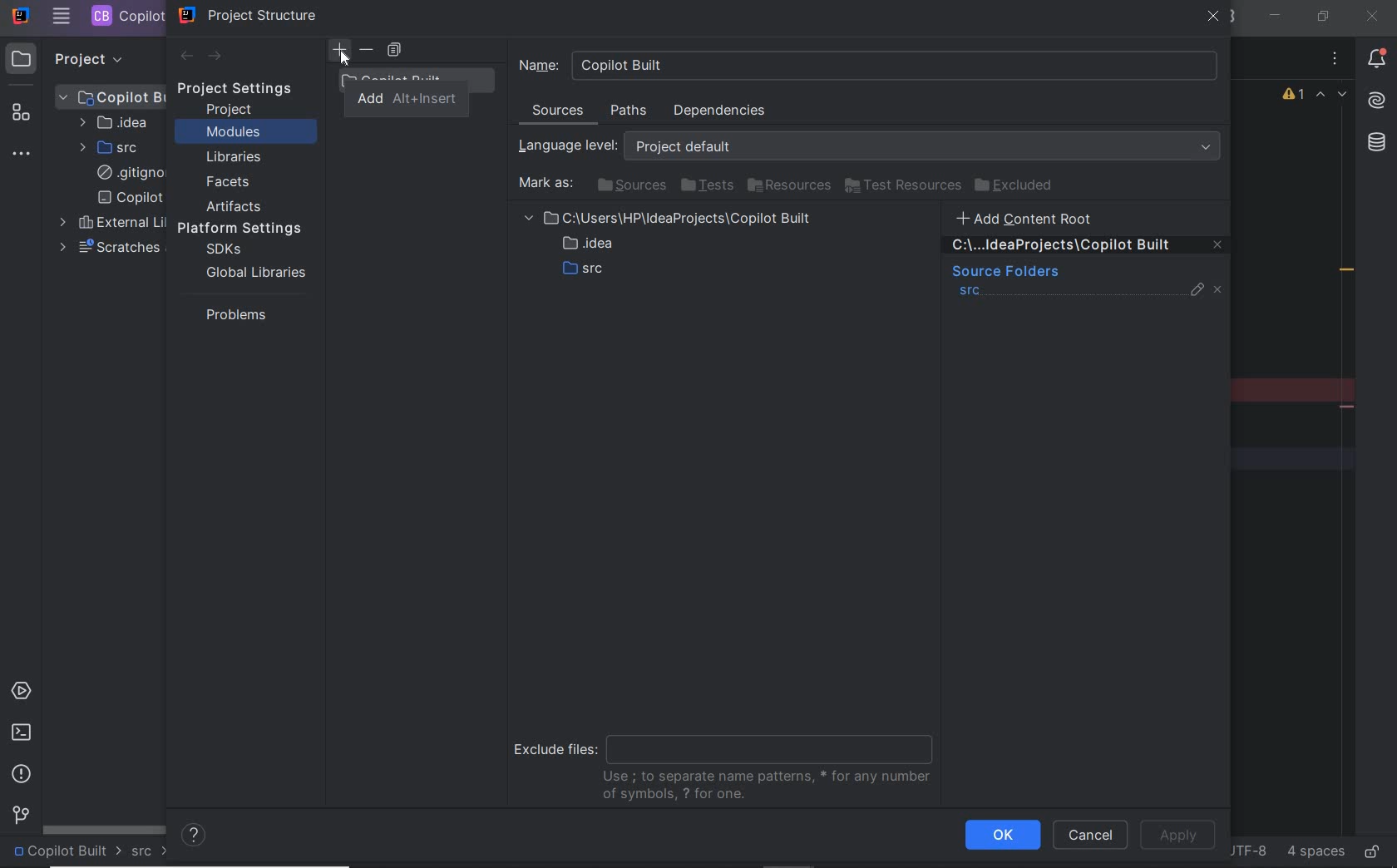 The image size is (1397, 868). Describe the element at coordinates (61, 17) in the screenshot. I see `MAIN MENU` at that location.